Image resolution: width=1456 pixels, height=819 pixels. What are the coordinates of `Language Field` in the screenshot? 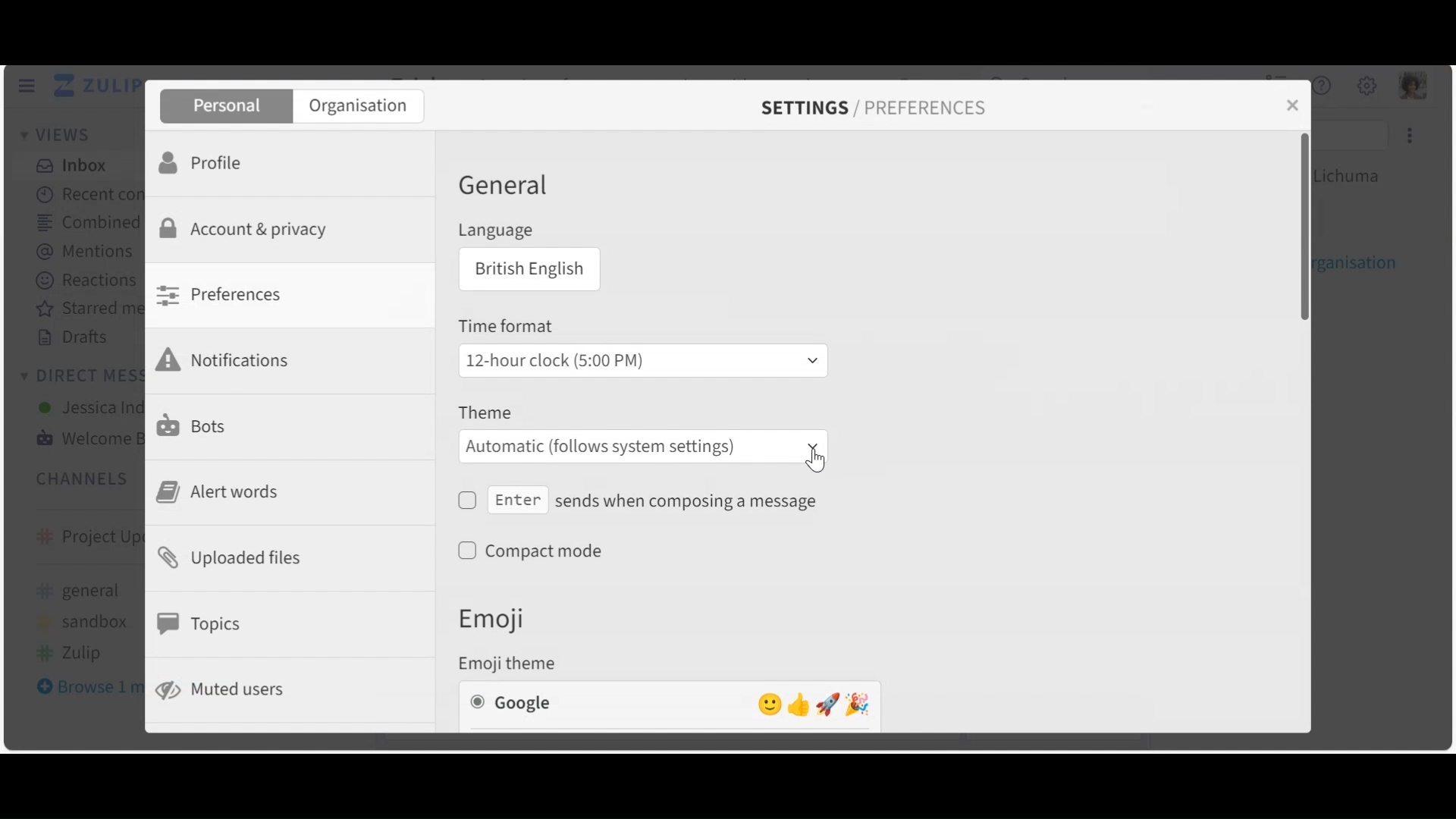 It's located at (526, 270).